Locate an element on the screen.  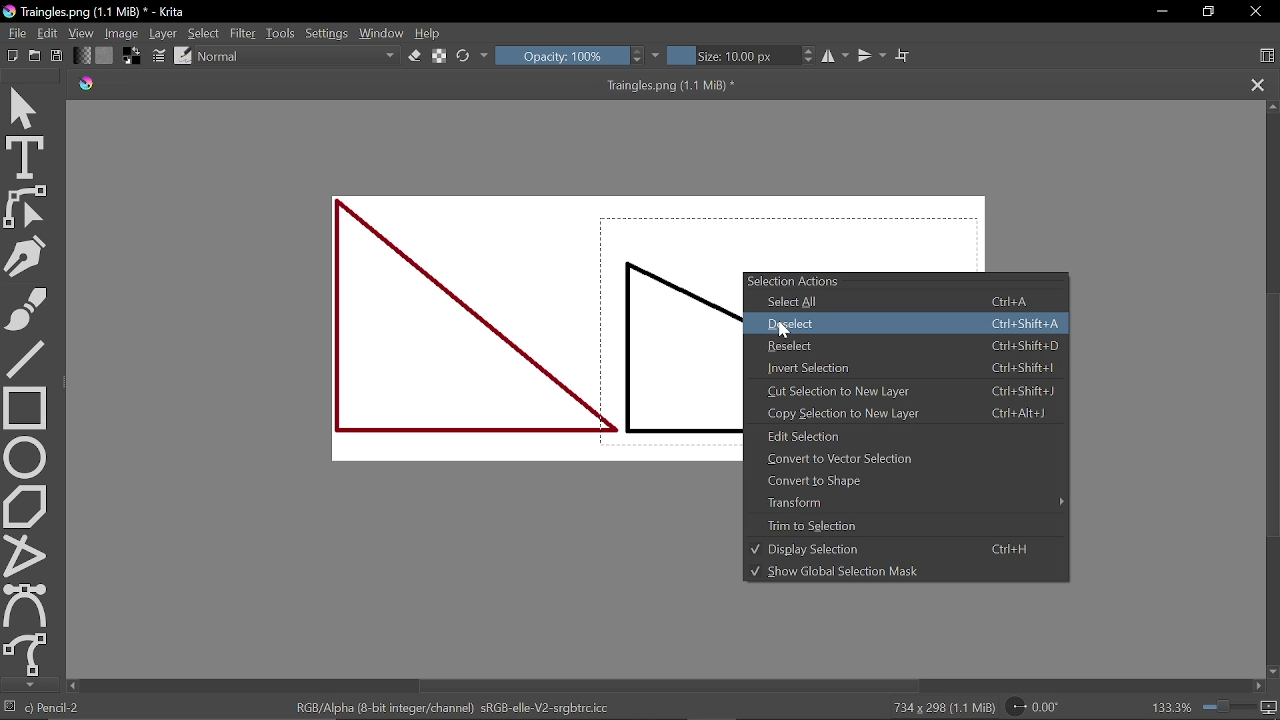
Layer is located at coordinates (163, 34).